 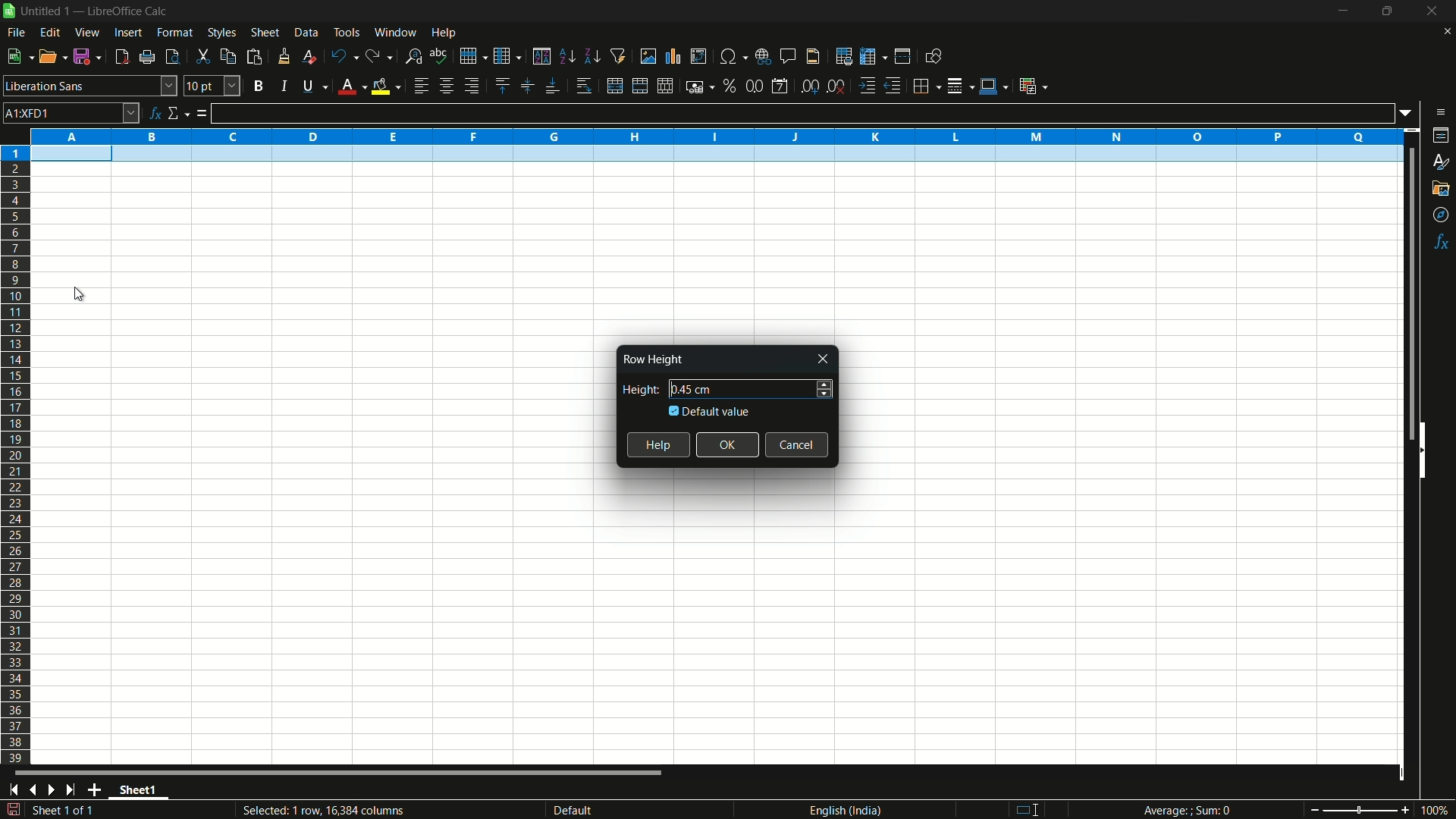 I want to click on navigator, so click(x=1442, y=215).